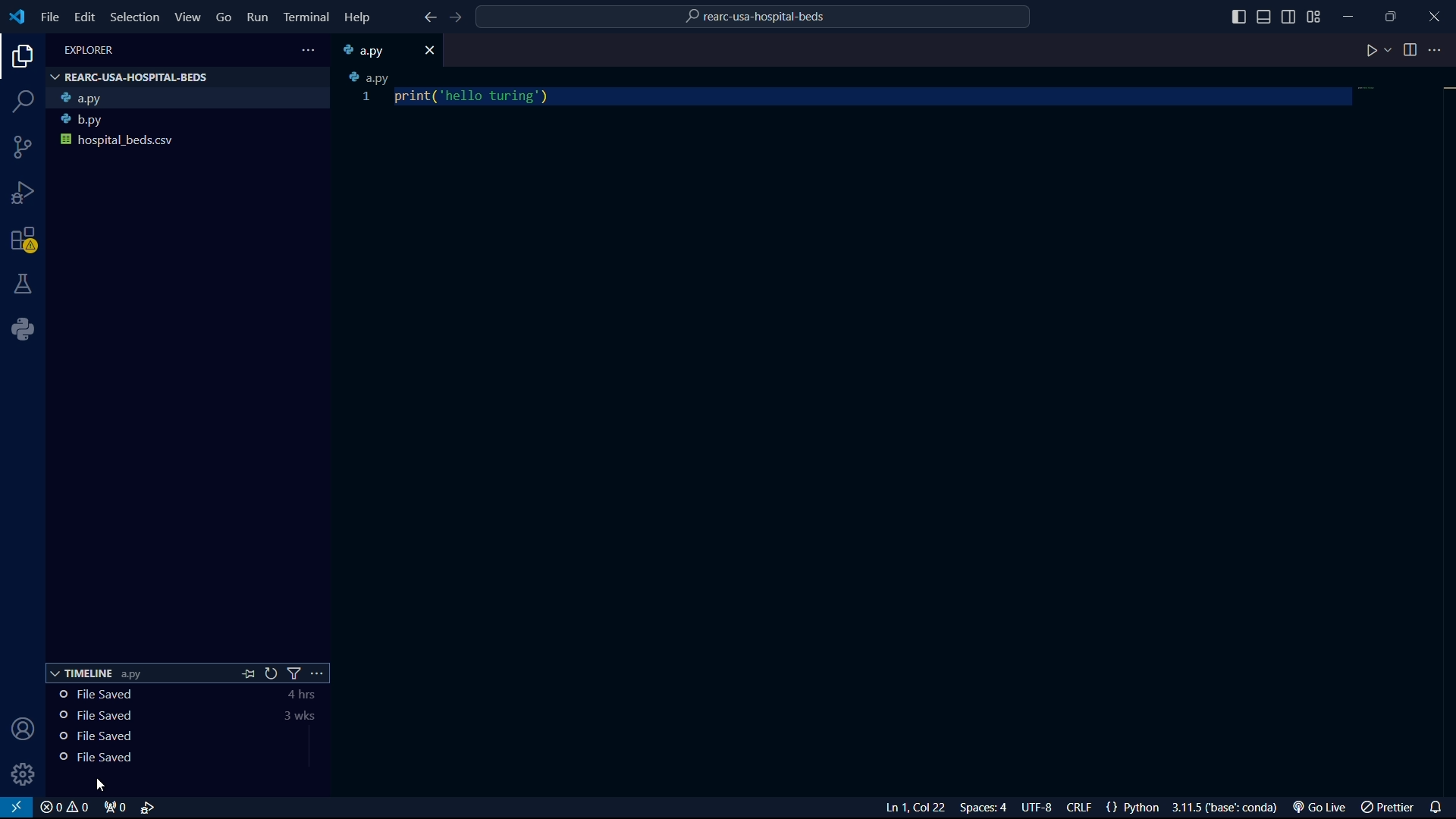  I want to click on pin the current timeline, so click(248, 673).